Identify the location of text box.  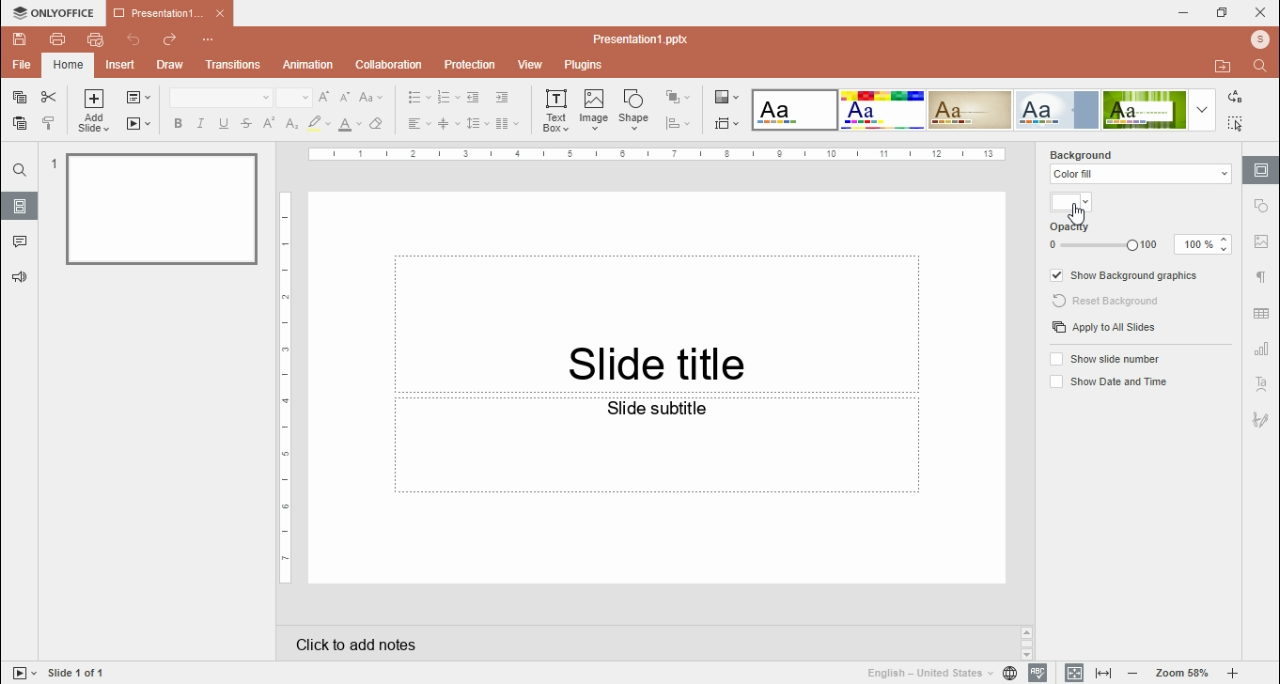
(556, 112).